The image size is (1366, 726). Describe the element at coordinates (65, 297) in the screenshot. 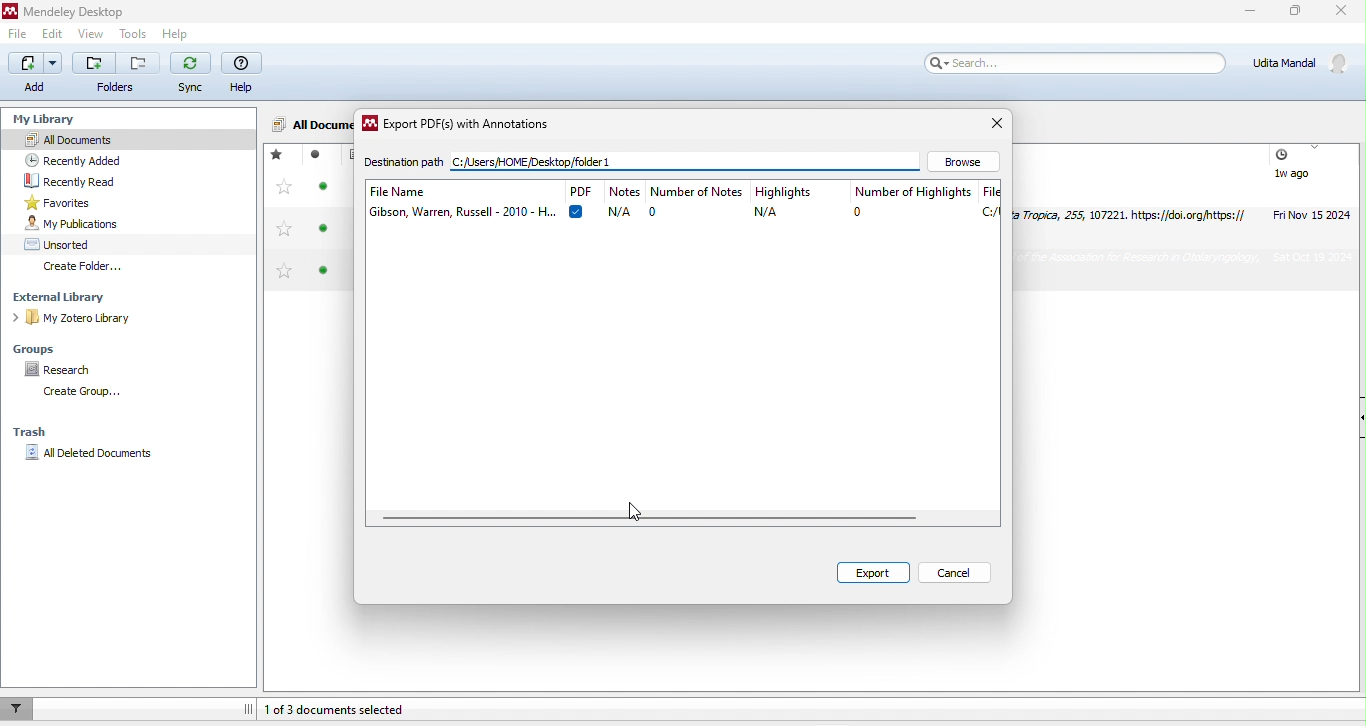

I see `external library` at that location.